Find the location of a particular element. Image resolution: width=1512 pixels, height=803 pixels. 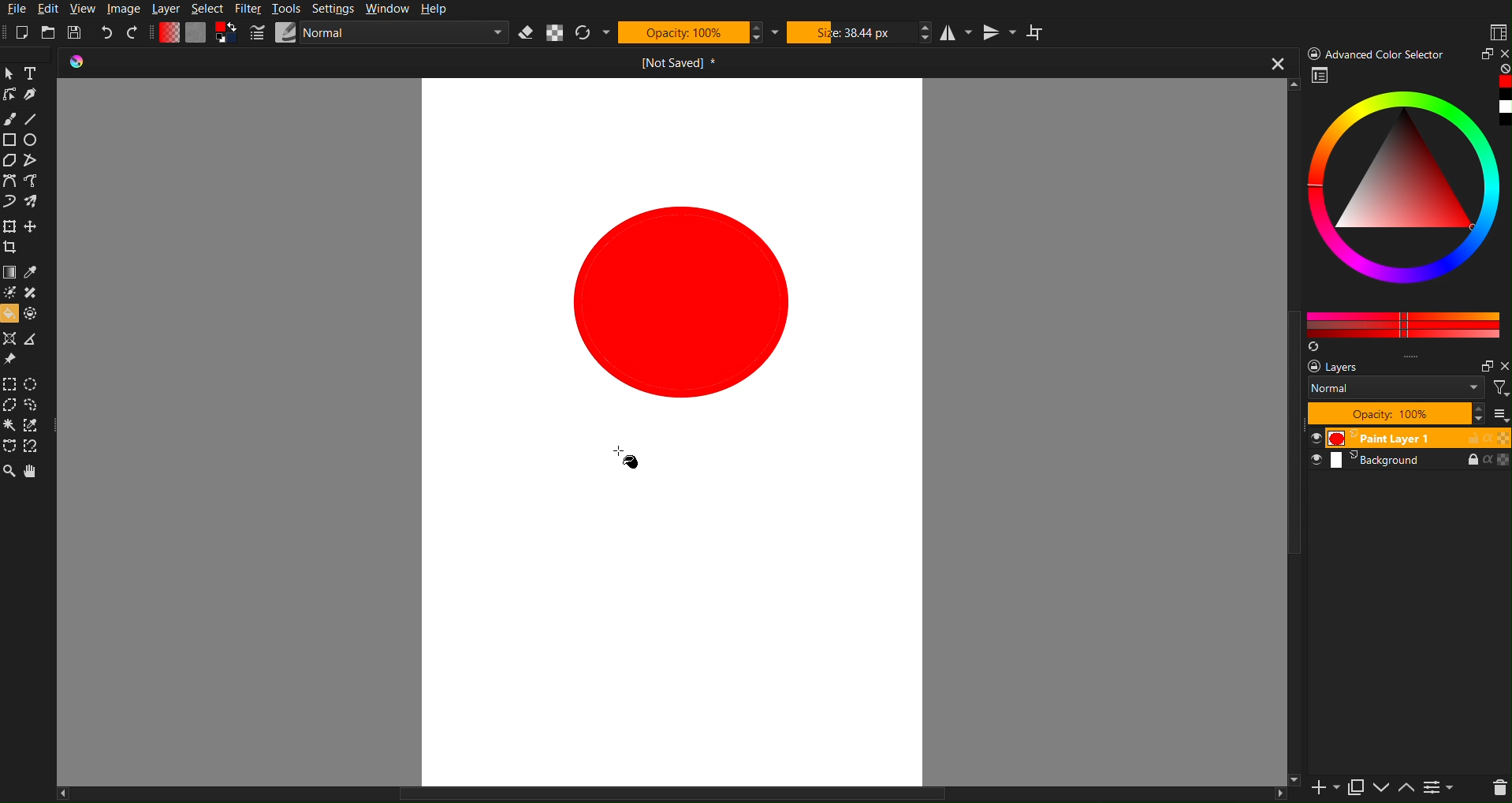

Close is located at coordinates (1503, 54).